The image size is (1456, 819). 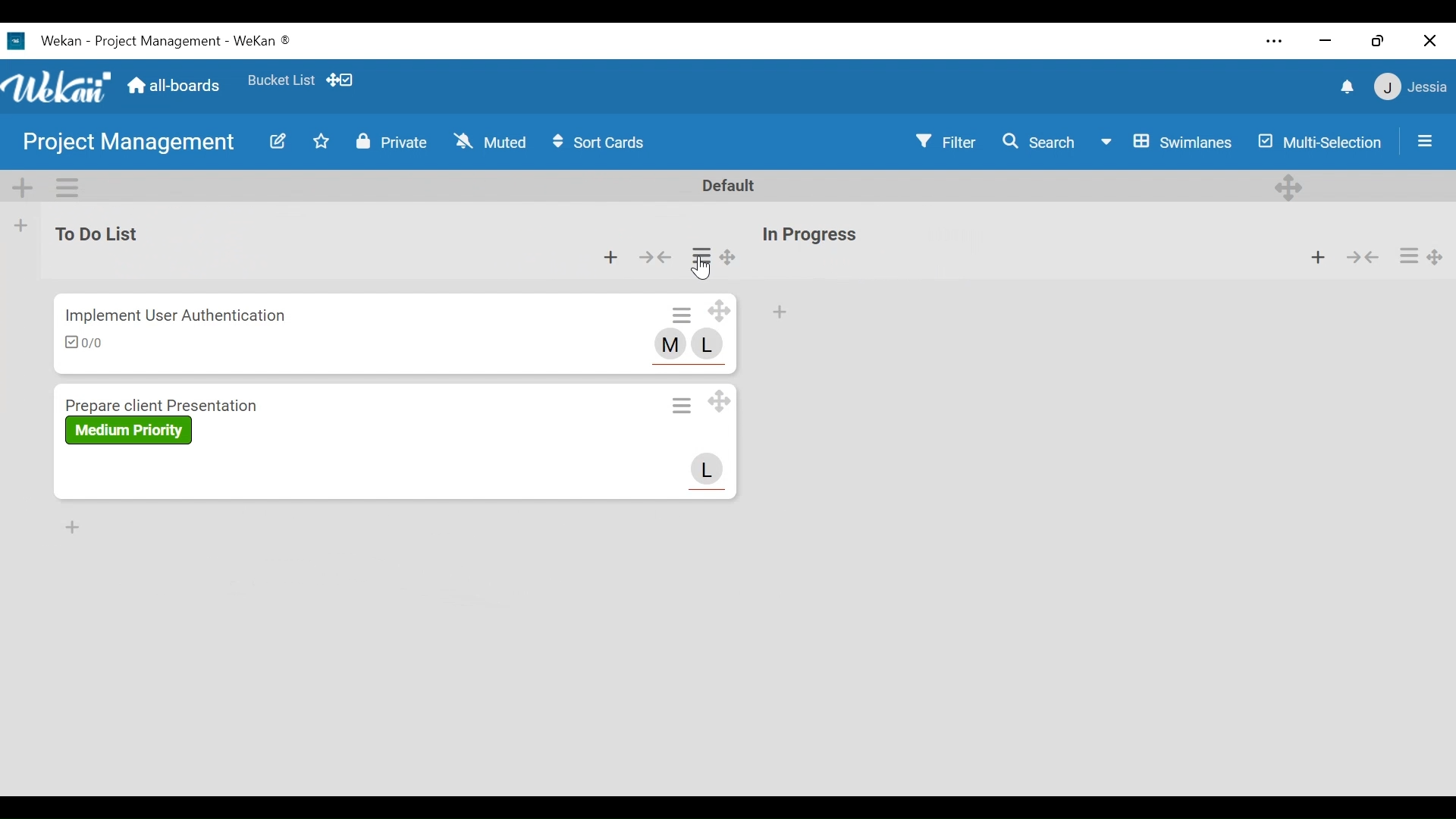 I want to click on Home (all boards), so click(x=176, y=86).